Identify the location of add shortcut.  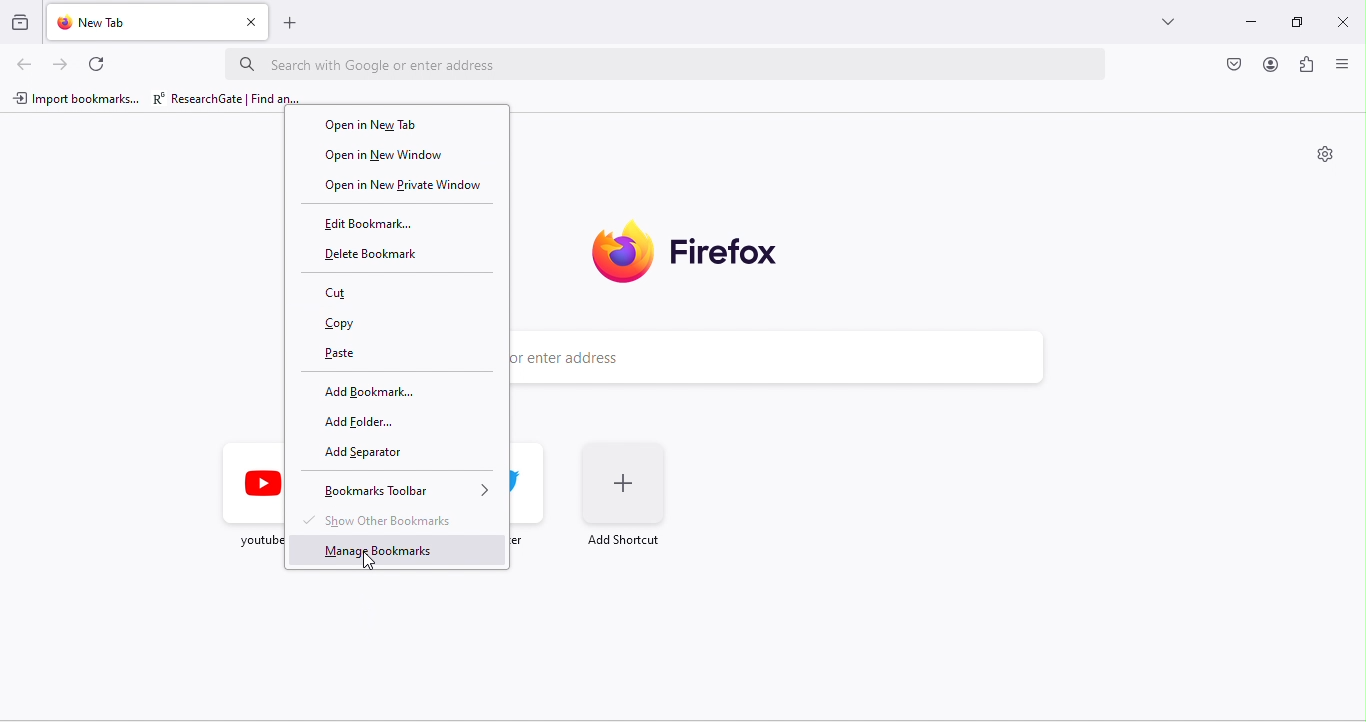
(626, 494).